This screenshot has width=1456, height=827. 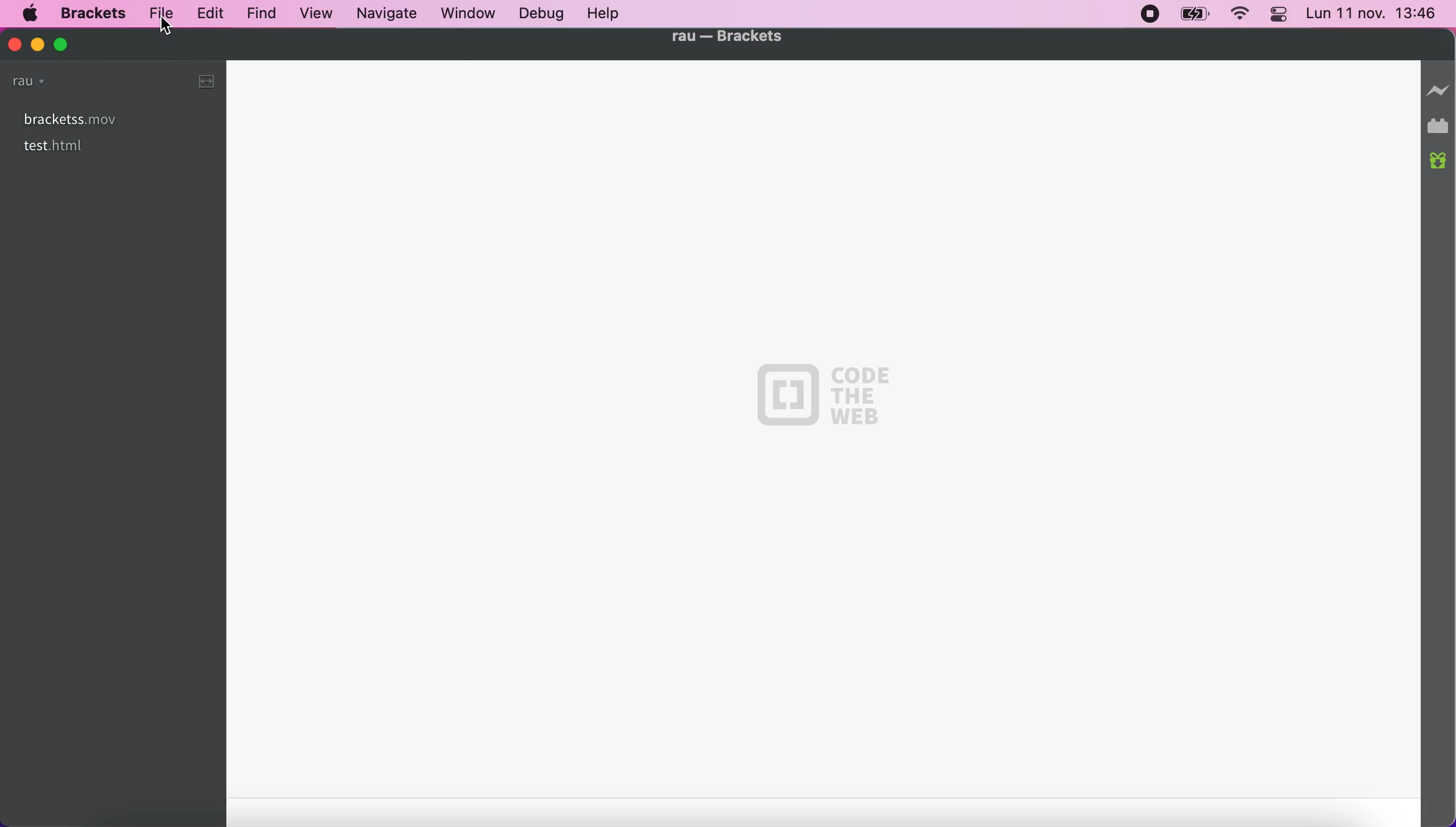 I want to click on blank canvas, so click(x=826, y=441).